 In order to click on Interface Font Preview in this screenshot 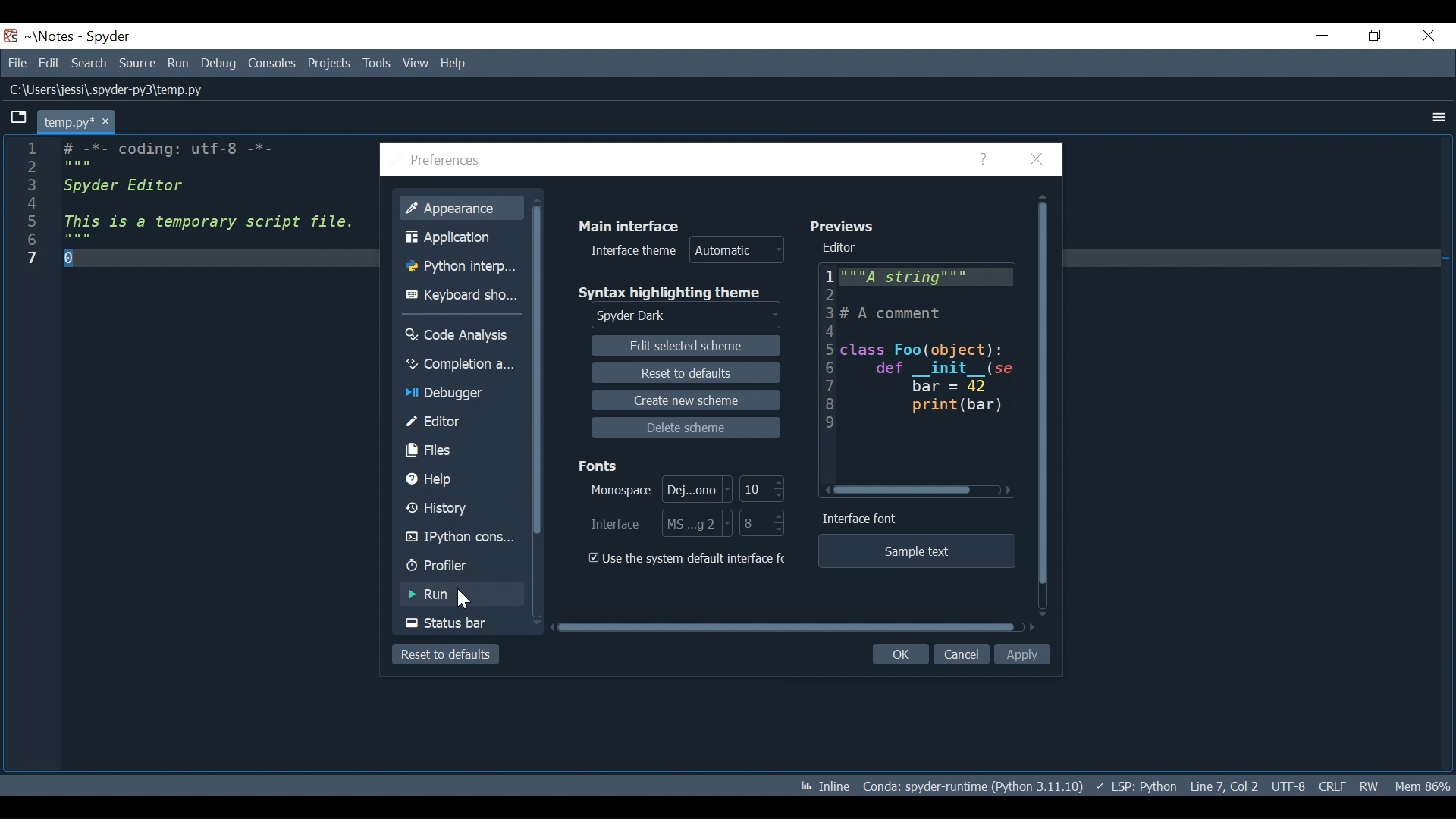, I will do `click(918, 552)`.